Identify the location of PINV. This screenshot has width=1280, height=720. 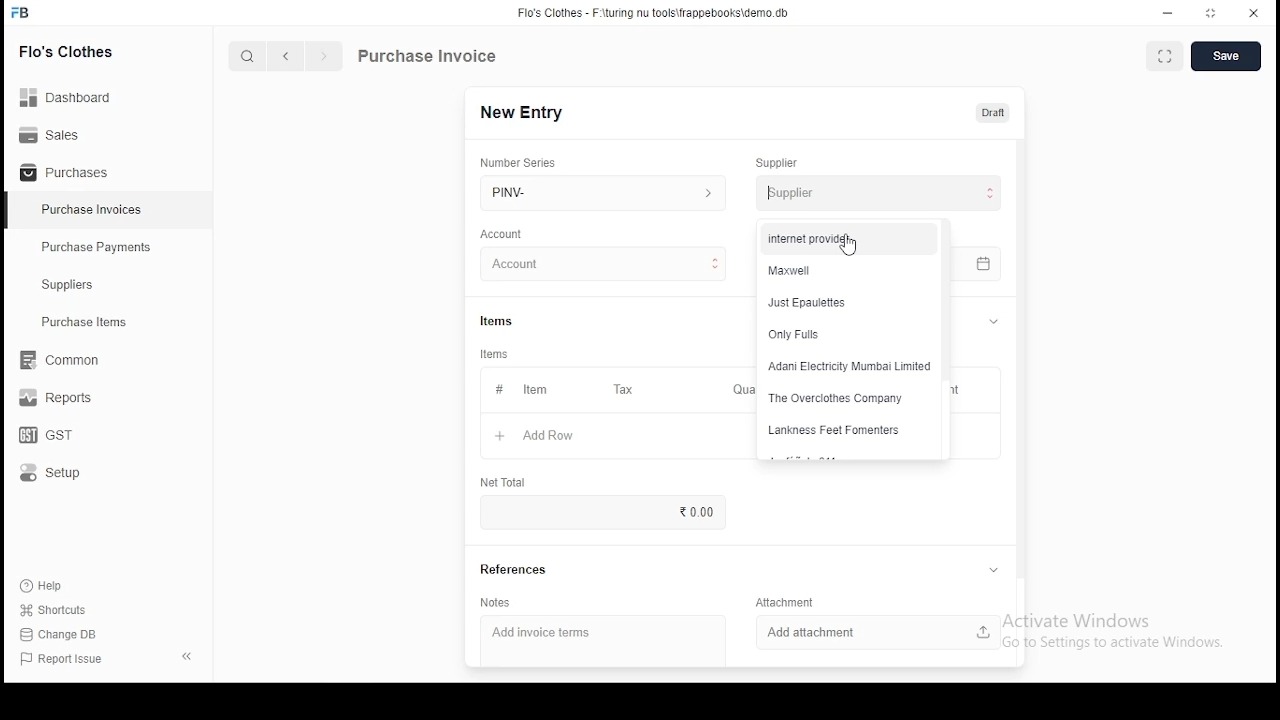
(603, 190).